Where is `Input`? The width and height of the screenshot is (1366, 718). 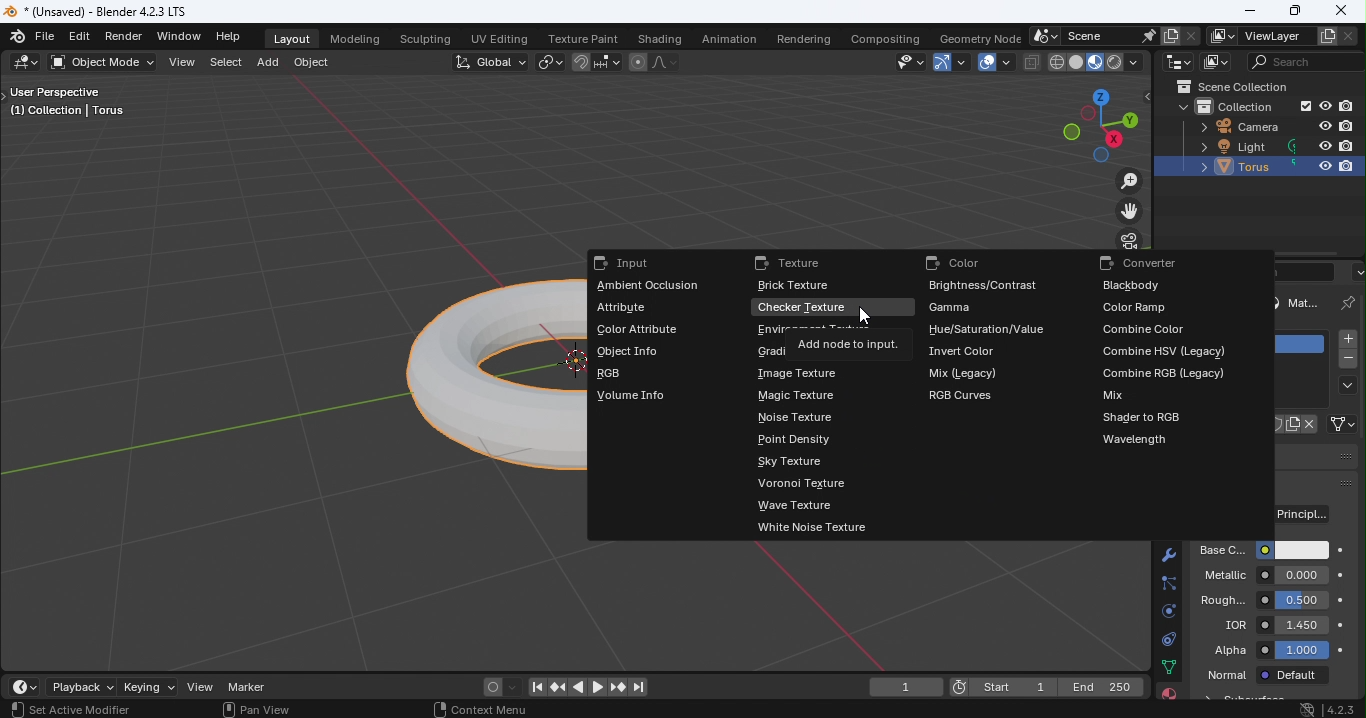
Input is located at coordinates (624, 262).